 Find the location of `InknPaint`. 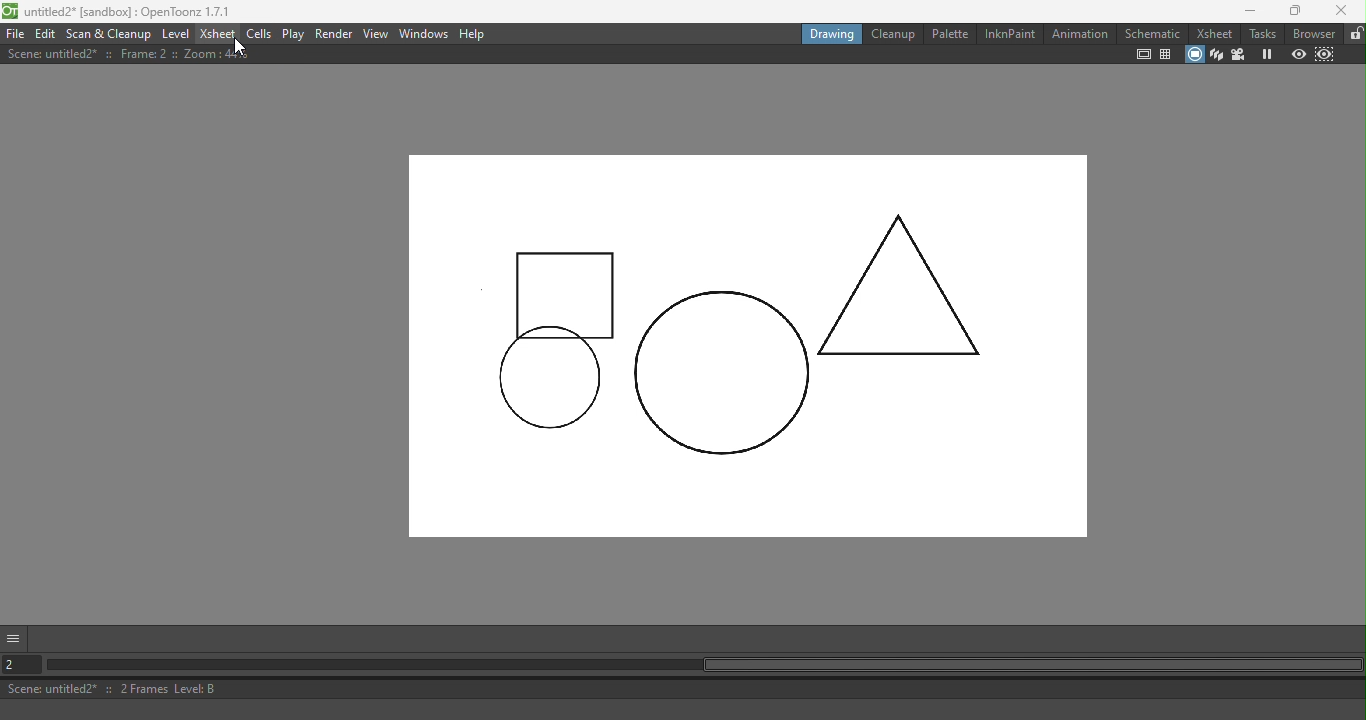

InknPaint is located at coordinates (1011, 34).